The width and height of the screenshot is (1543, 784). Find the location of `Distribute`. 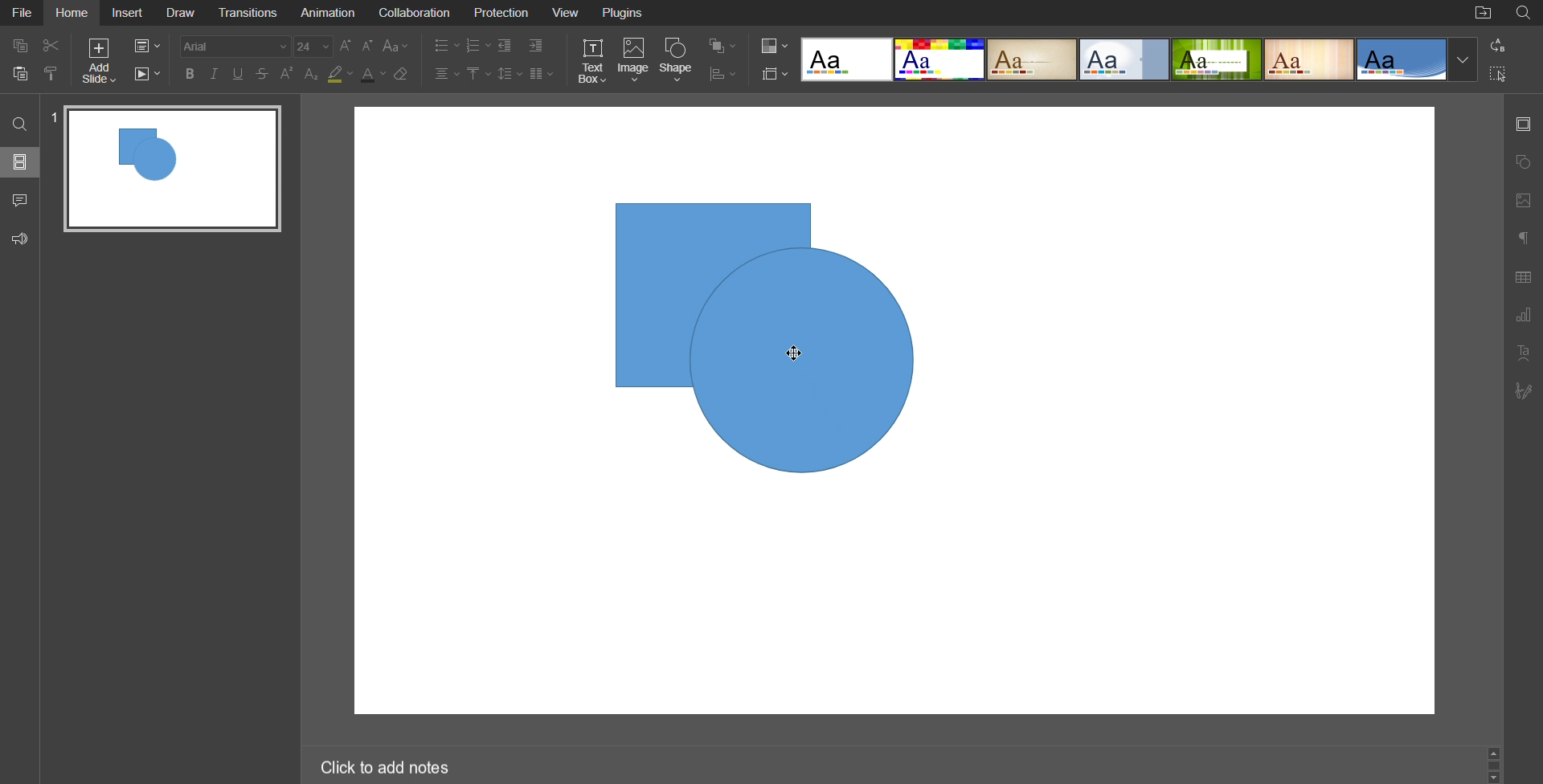

Distribute is located at coordinates (722, 75).